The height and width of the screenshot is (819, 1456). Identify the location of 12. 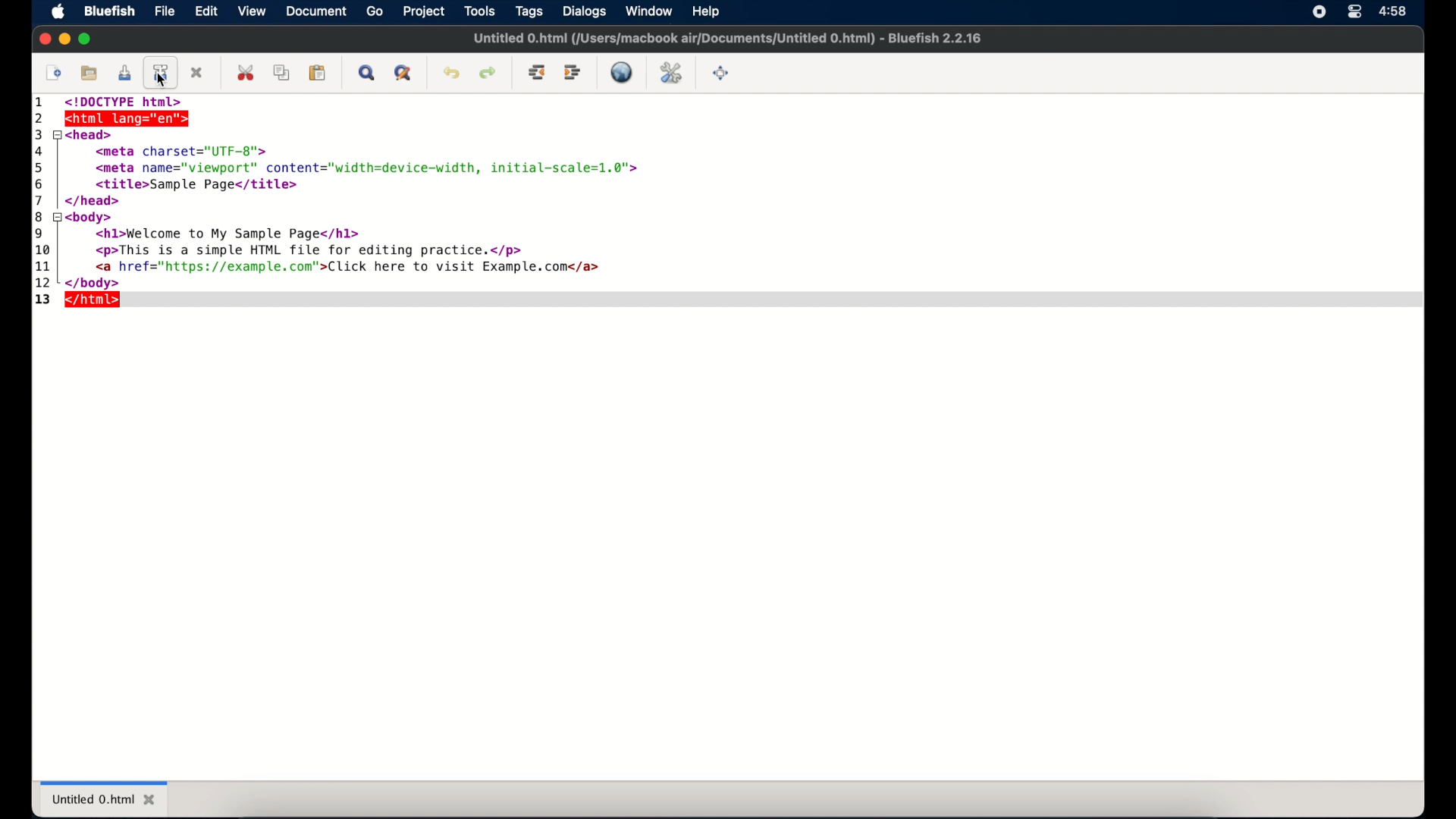
(45, 283).